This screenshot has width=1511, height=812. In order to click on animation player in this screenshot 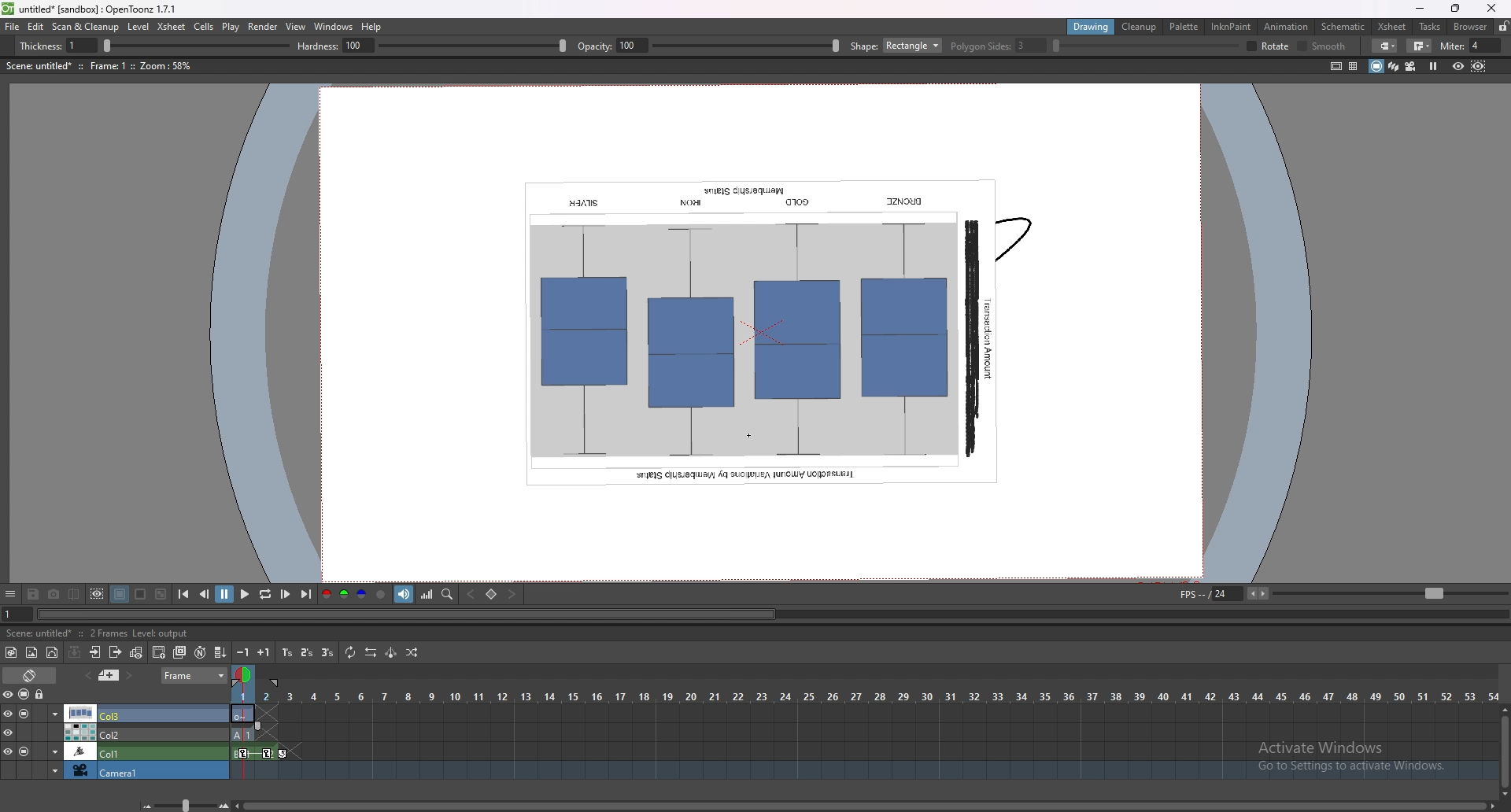, I will do `click(771, 613)`.